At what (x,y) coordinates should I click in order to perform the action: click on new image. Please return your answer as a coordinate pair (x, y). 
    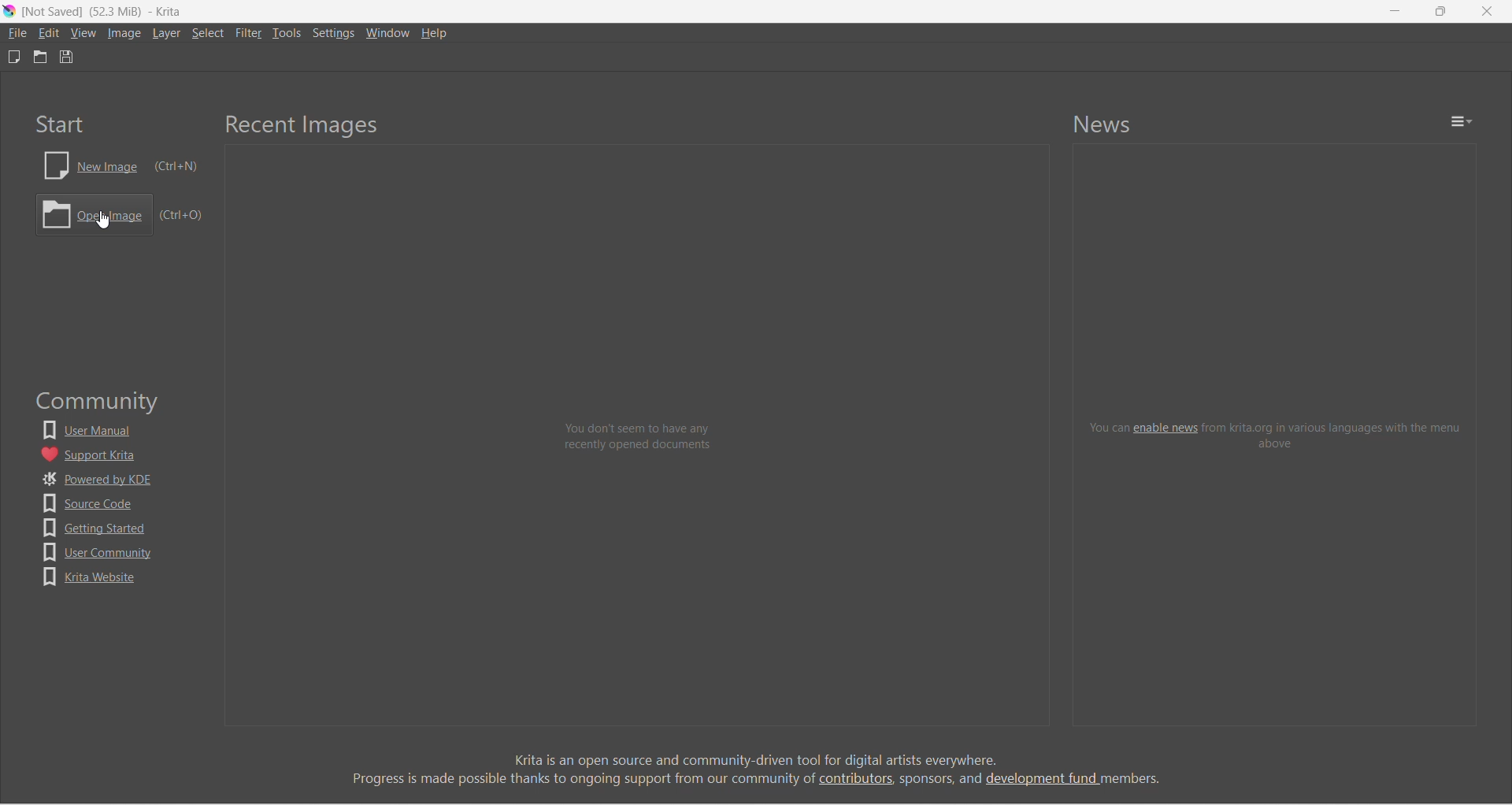
    Looking at the image, I should click on (121, 165).